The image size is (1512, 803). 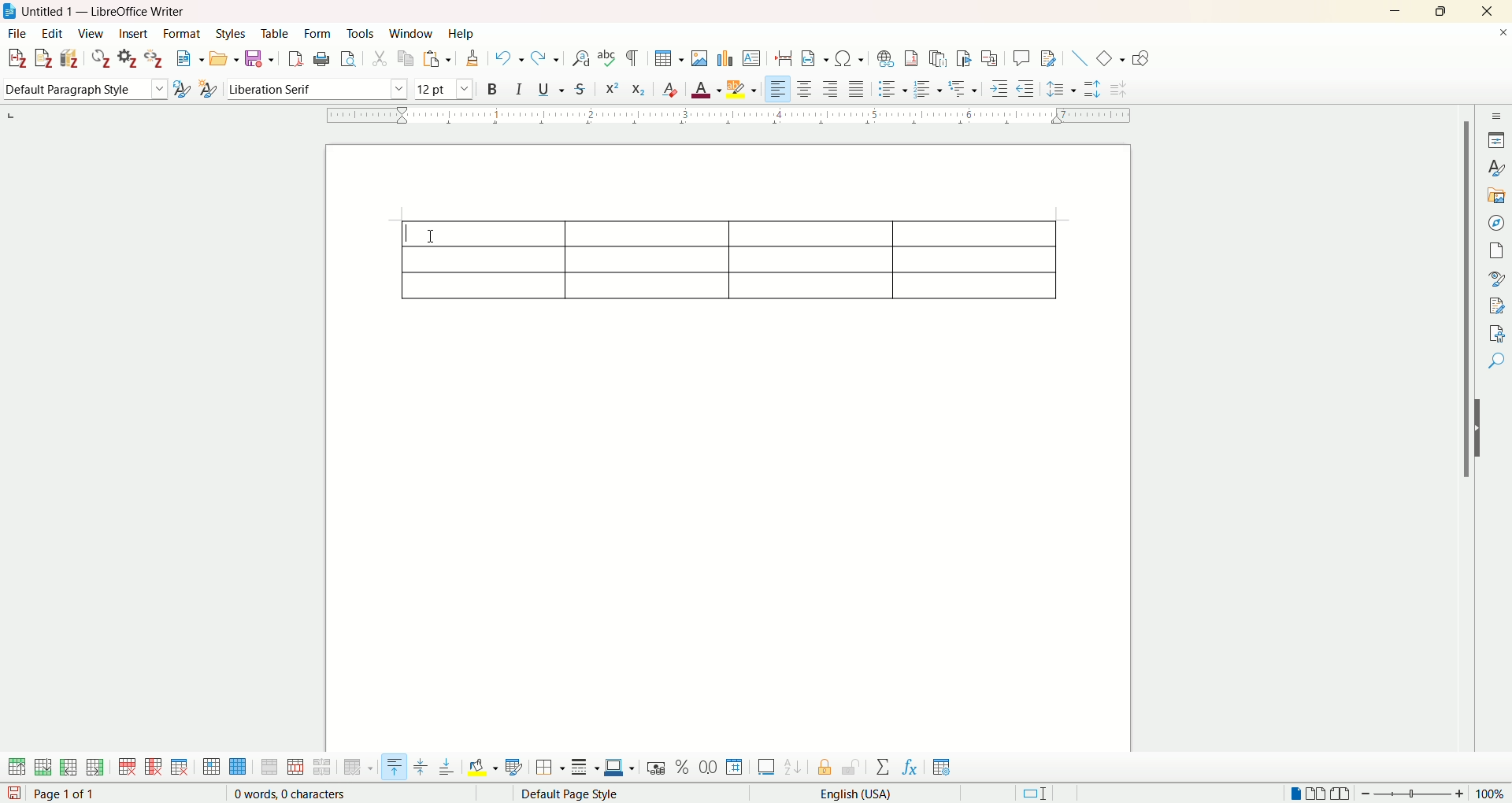 What do you see at coordinates (847, 794) in the screenshot?
I see `English (USA)` at bounding box center [847, 794].